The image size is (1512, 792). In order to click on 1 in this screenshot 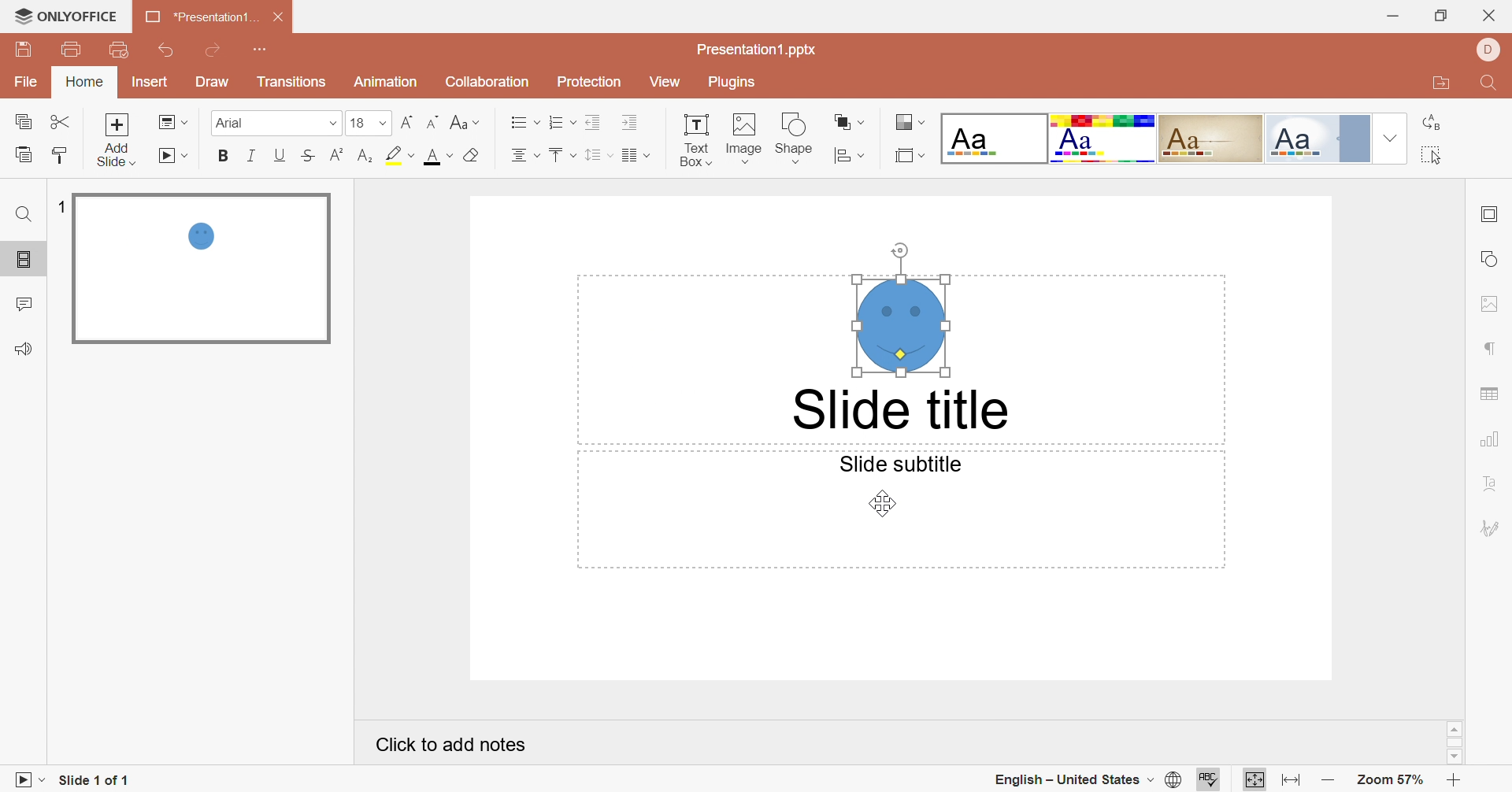, I will do `click(61, 204)`.